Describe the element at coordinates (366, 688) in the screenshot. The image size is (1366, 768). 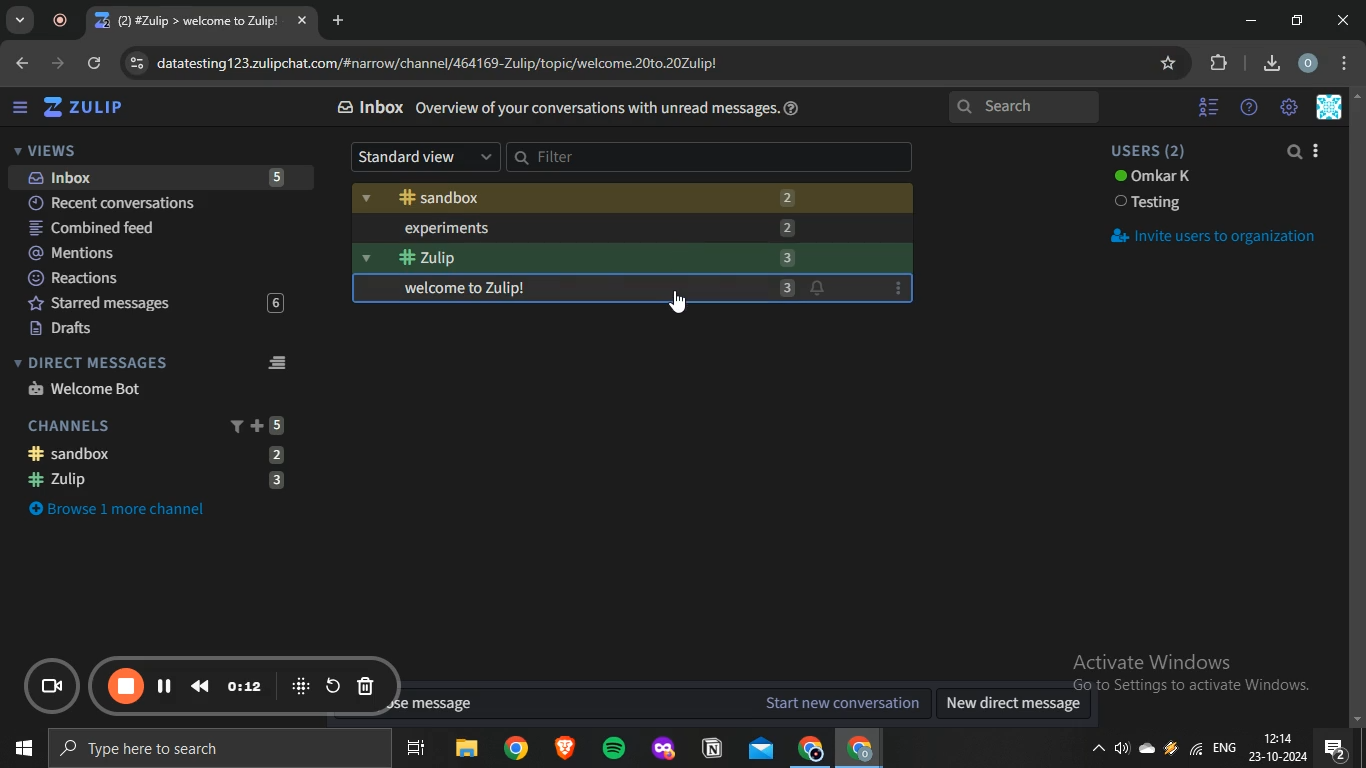
I see `delete` at that location.